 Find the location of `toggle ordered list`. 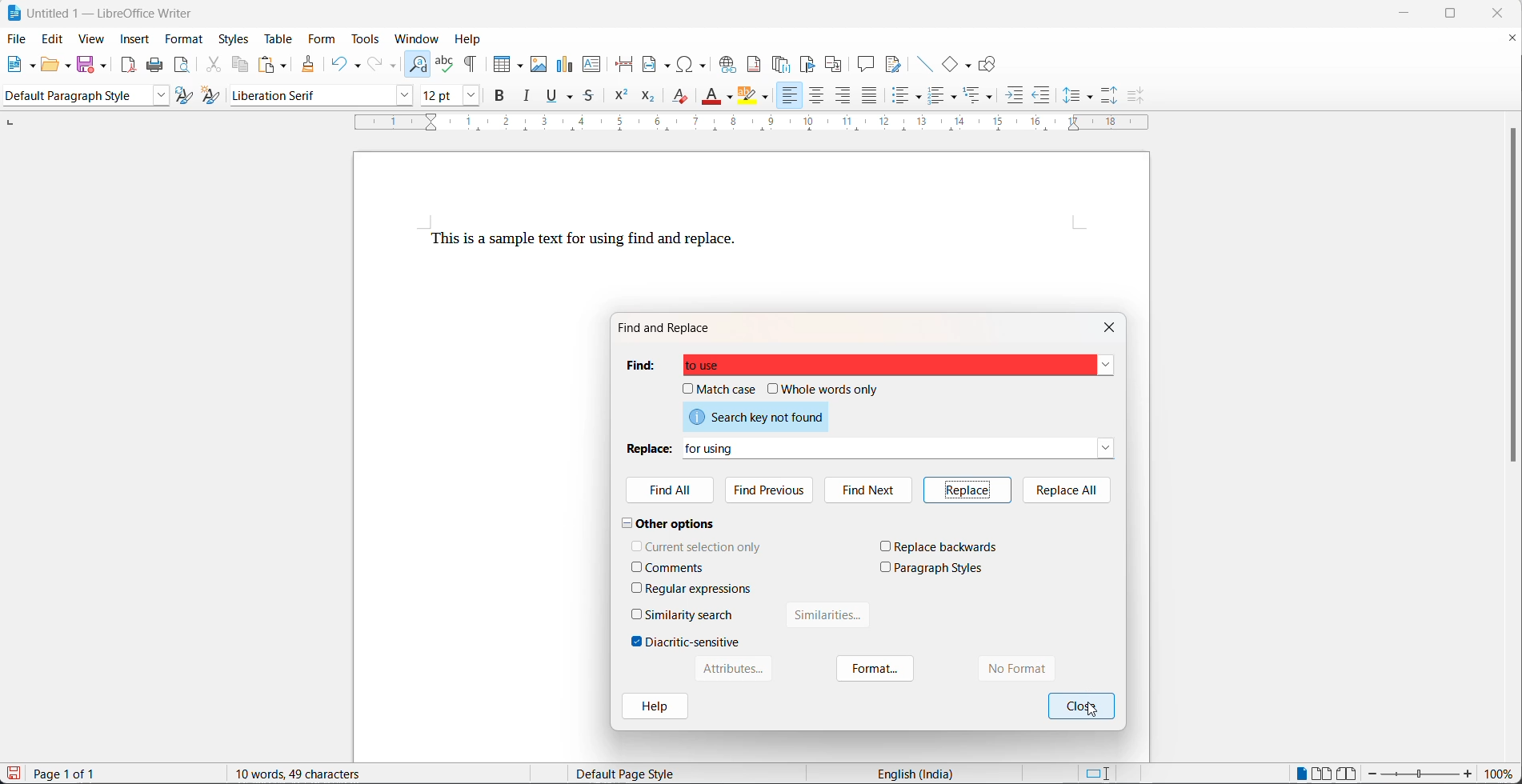

toggle ordered list is located at coordinates (938, 97).